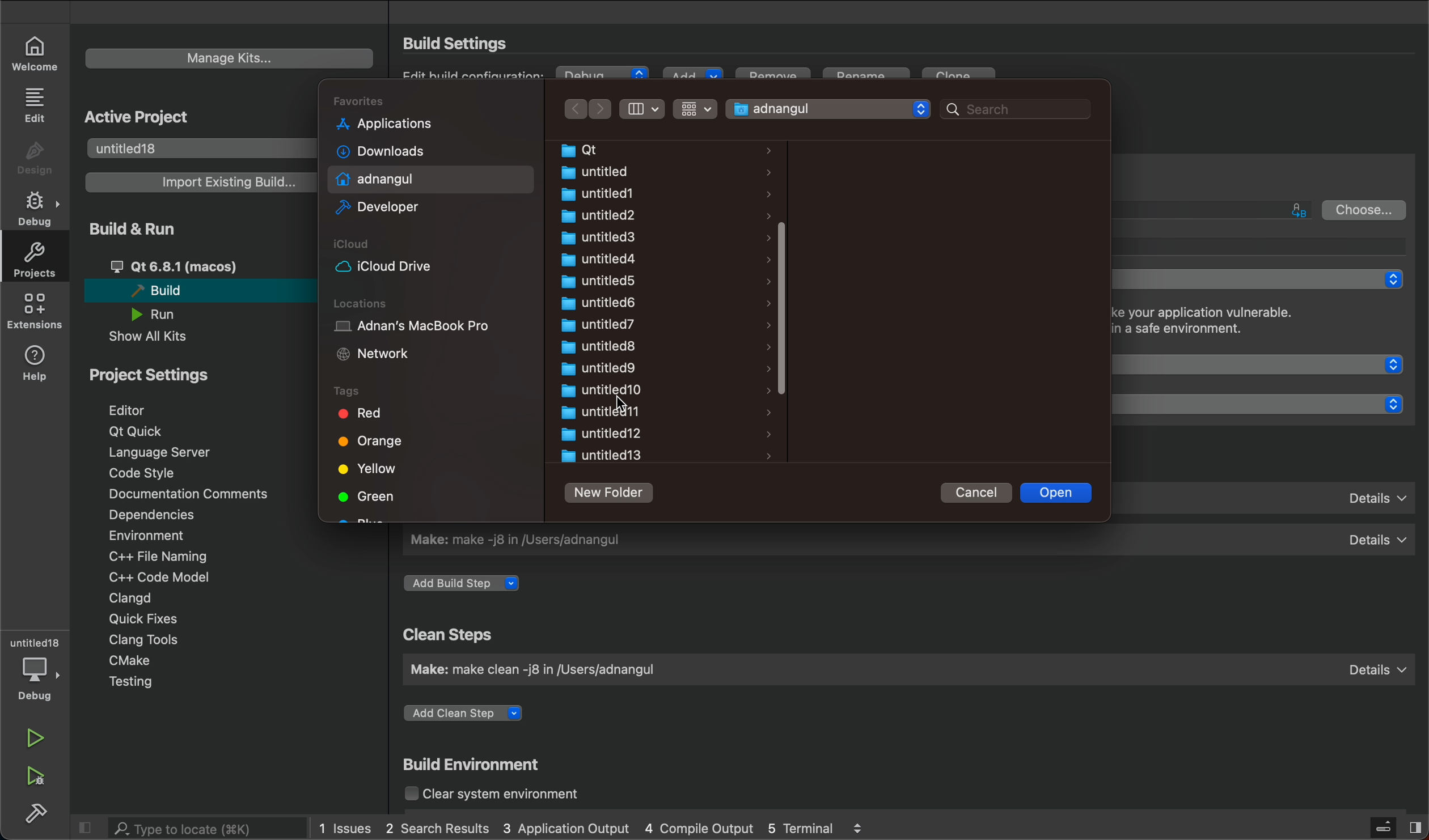 The width and height of the screenshot is (1429, 840). What do you see at coordinates (201, 183) in the screenshot?
I see `import existing build` at bounding box center [201, 183].